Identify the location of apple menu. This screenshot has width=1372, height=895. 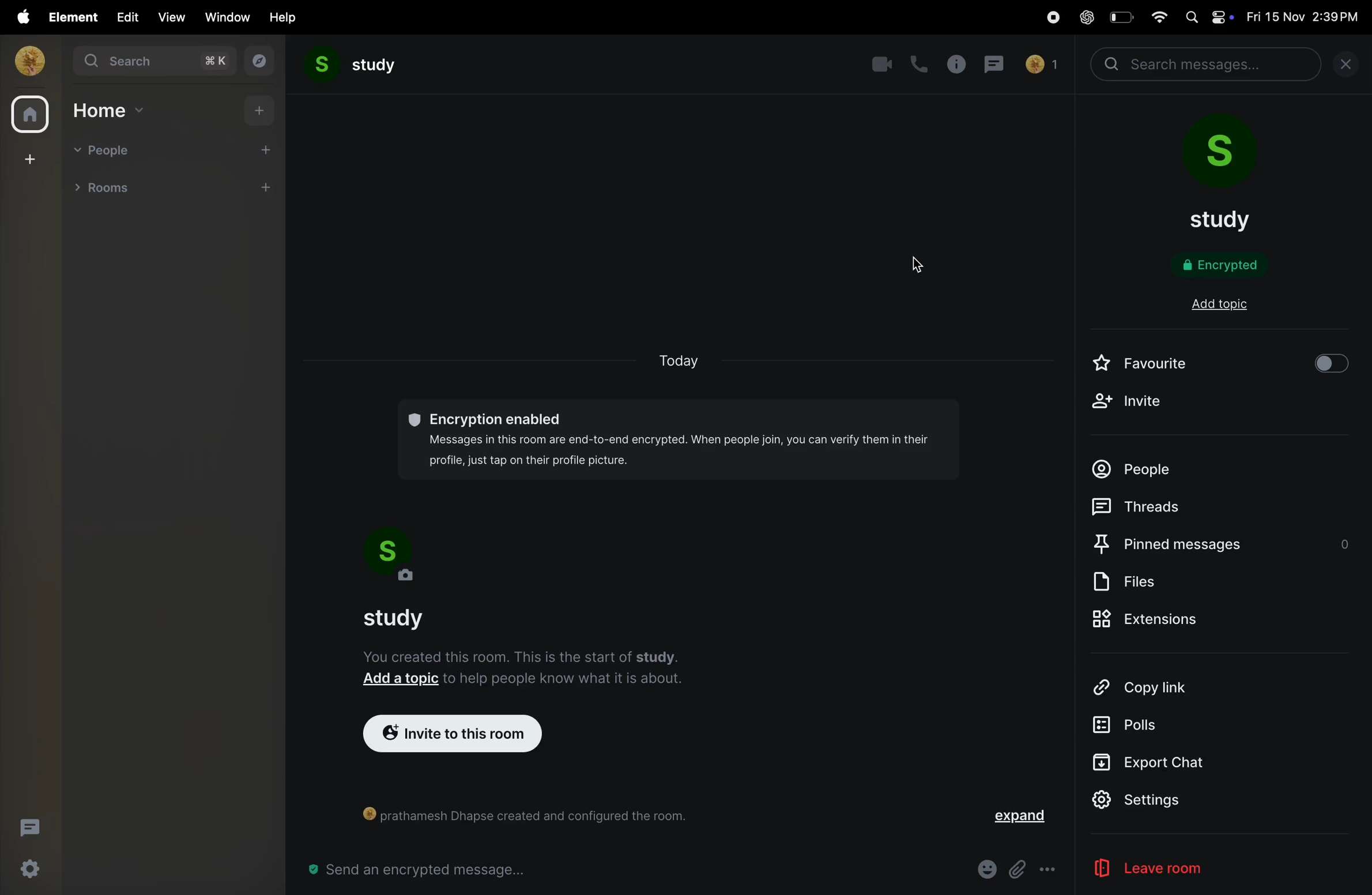
(19, 17).